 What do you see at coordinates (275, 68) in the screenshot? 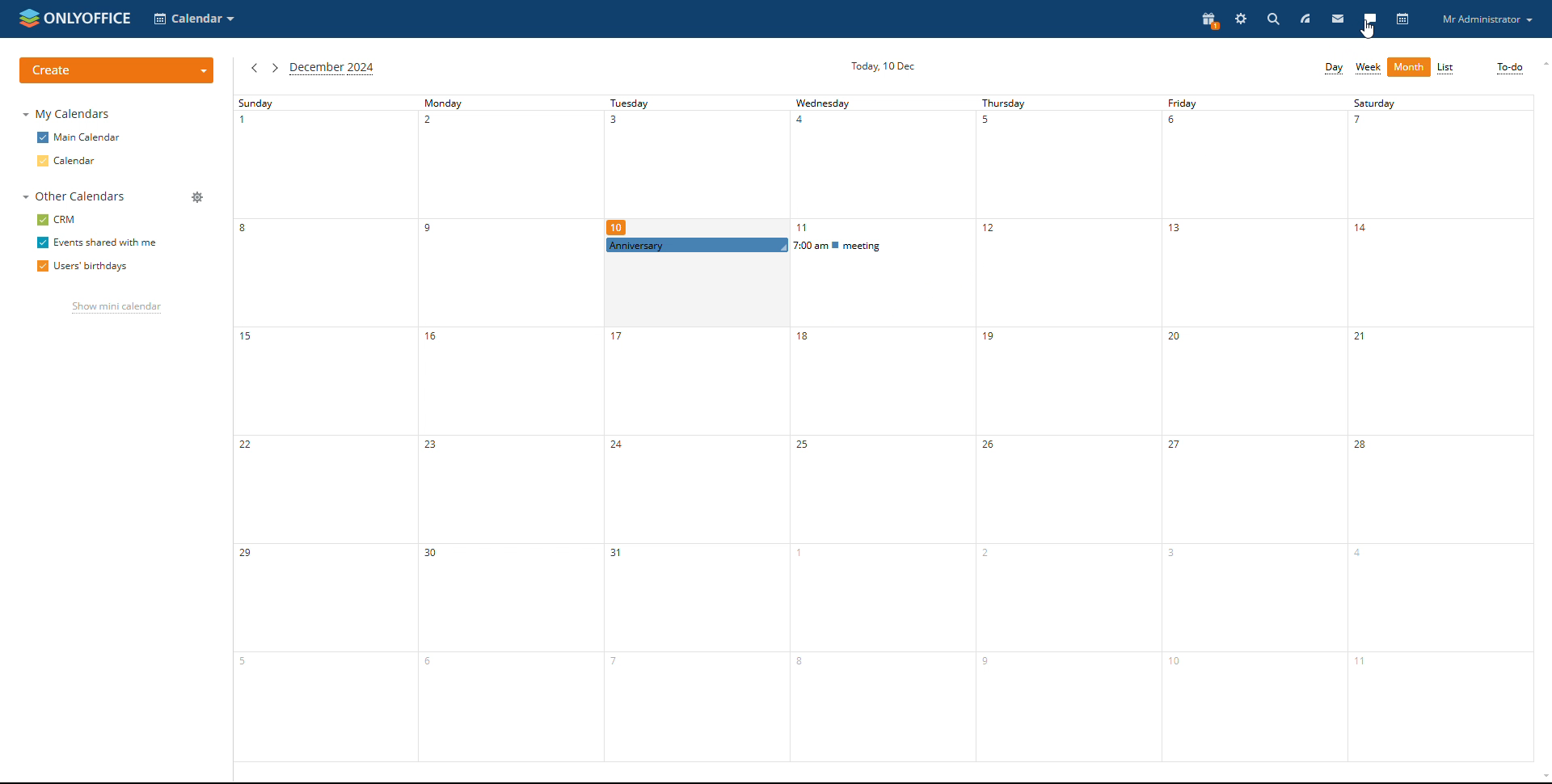
I see `next month` at bounding box center [275, 68].